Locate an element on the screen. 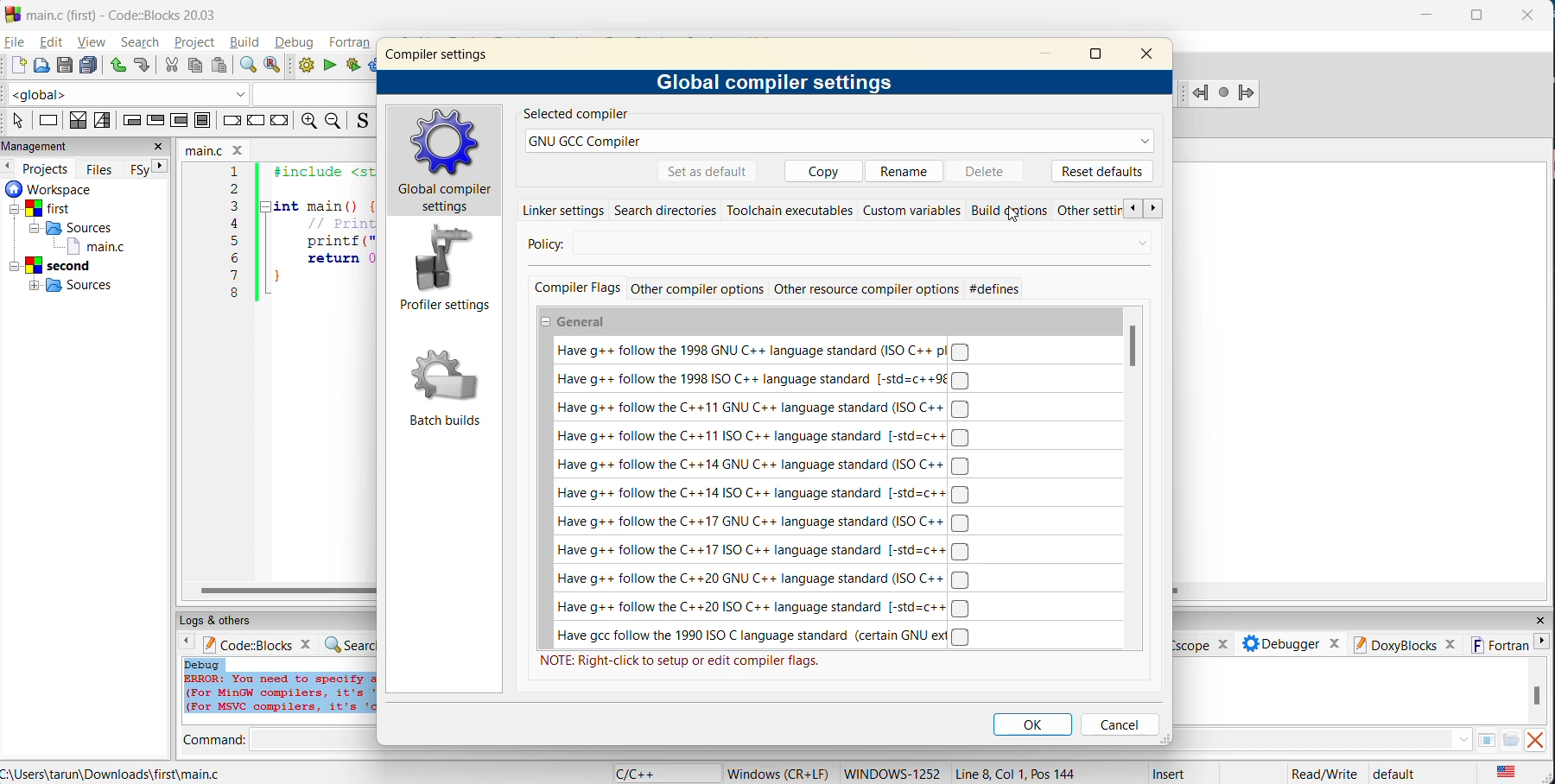 Image resolution: width=1555 pixels, height=784 pixels. management is located at coordinates (38, 145).